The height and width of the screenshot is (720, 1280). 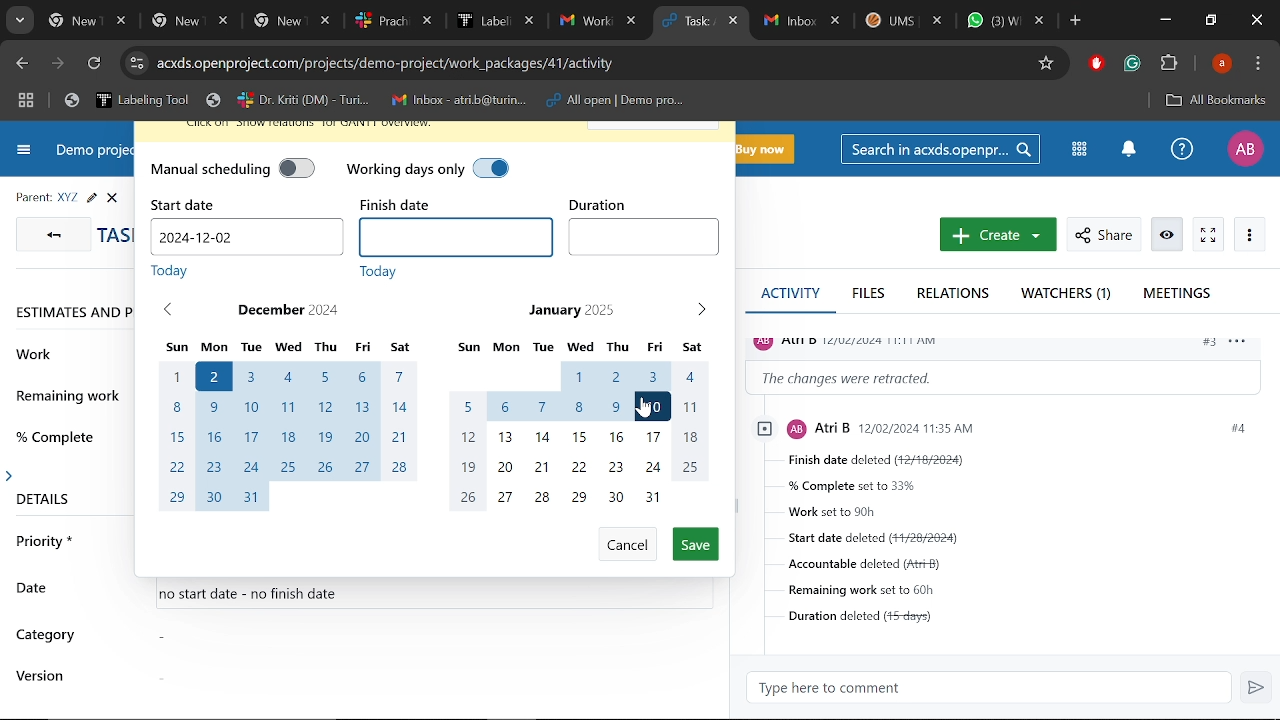 I want to click on Edit task, so click(x=91, y=198).